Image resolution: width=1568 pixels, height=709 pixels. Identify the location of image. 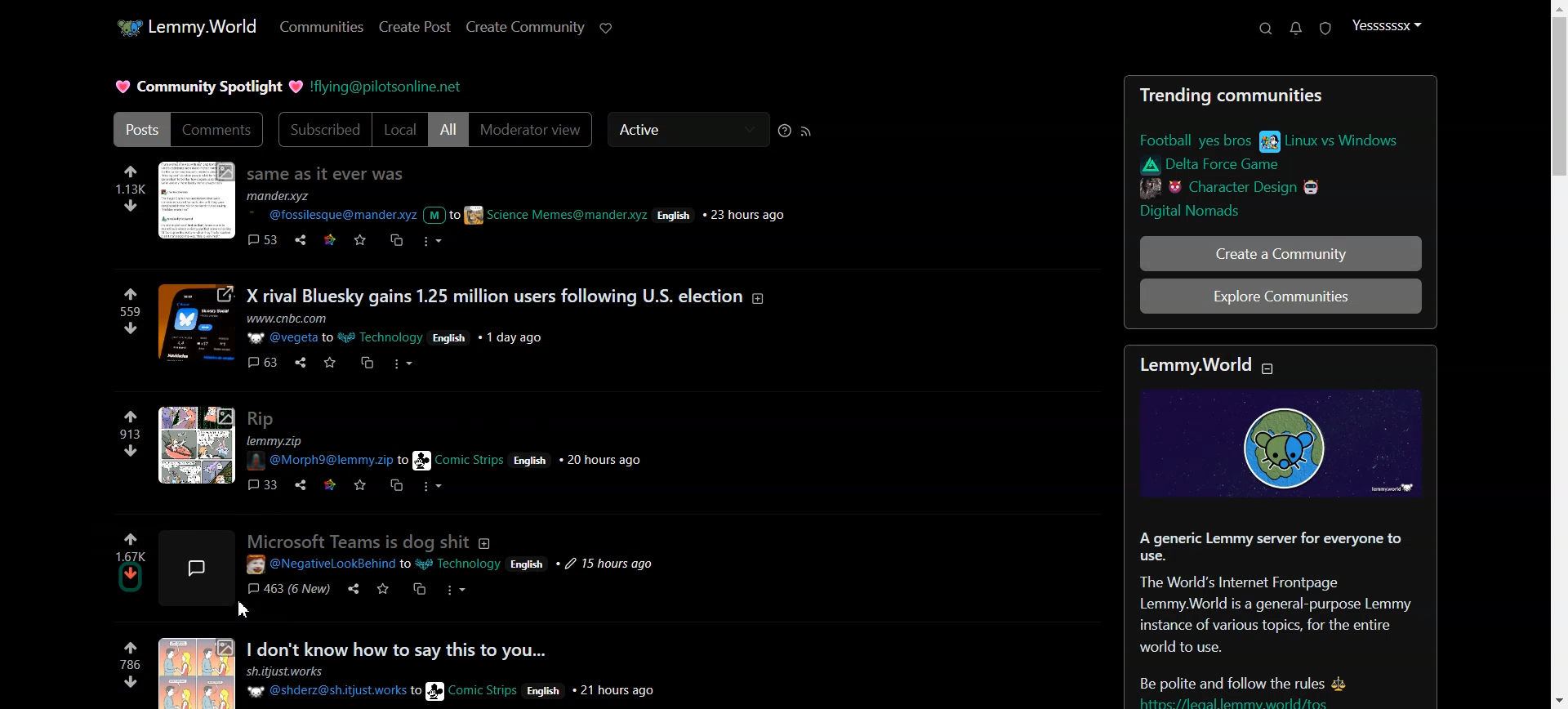
(196, 672).